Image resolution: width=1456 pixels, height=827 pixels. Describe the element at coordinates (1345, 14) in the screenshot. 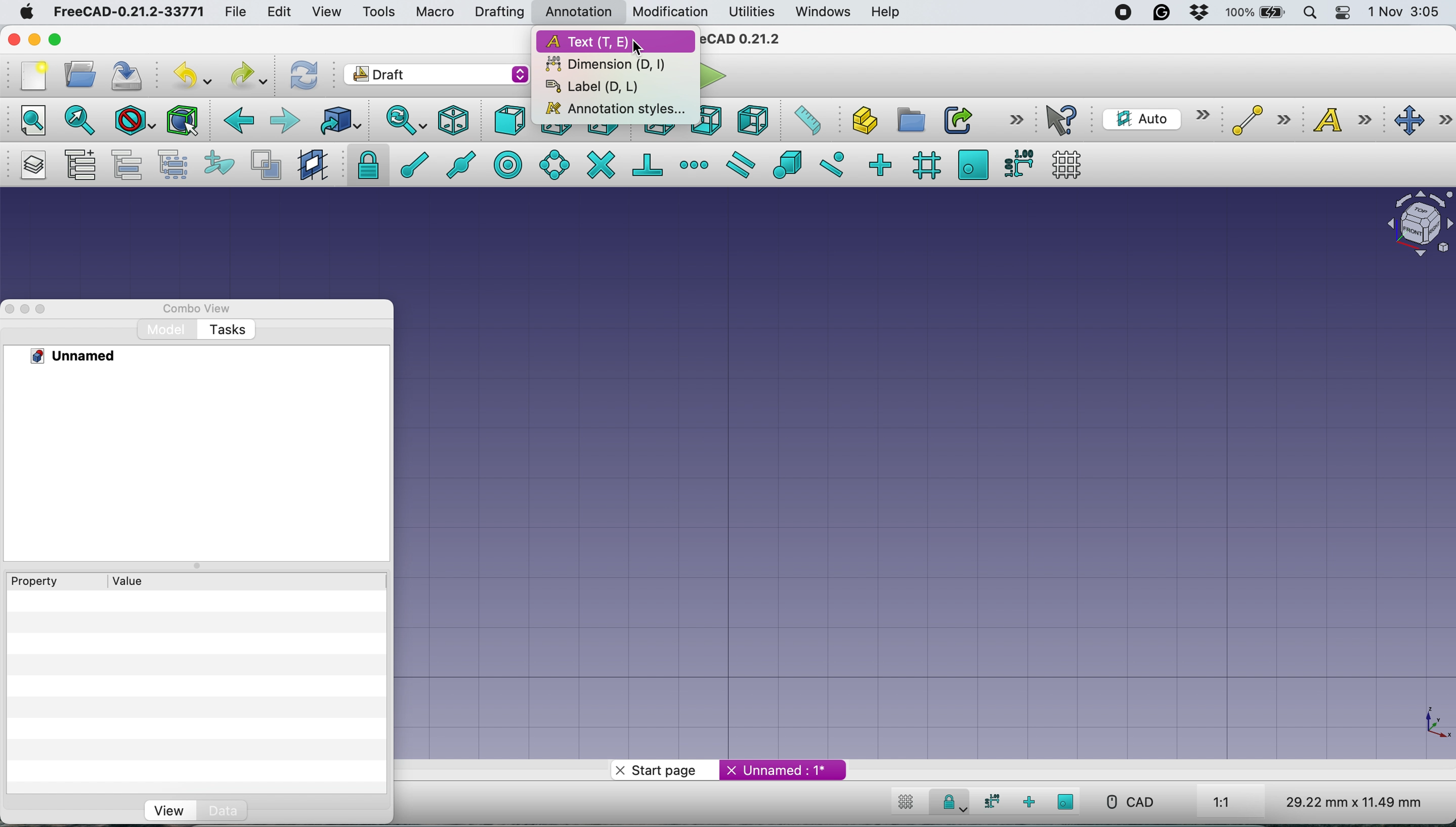

I see `control center` at that location.